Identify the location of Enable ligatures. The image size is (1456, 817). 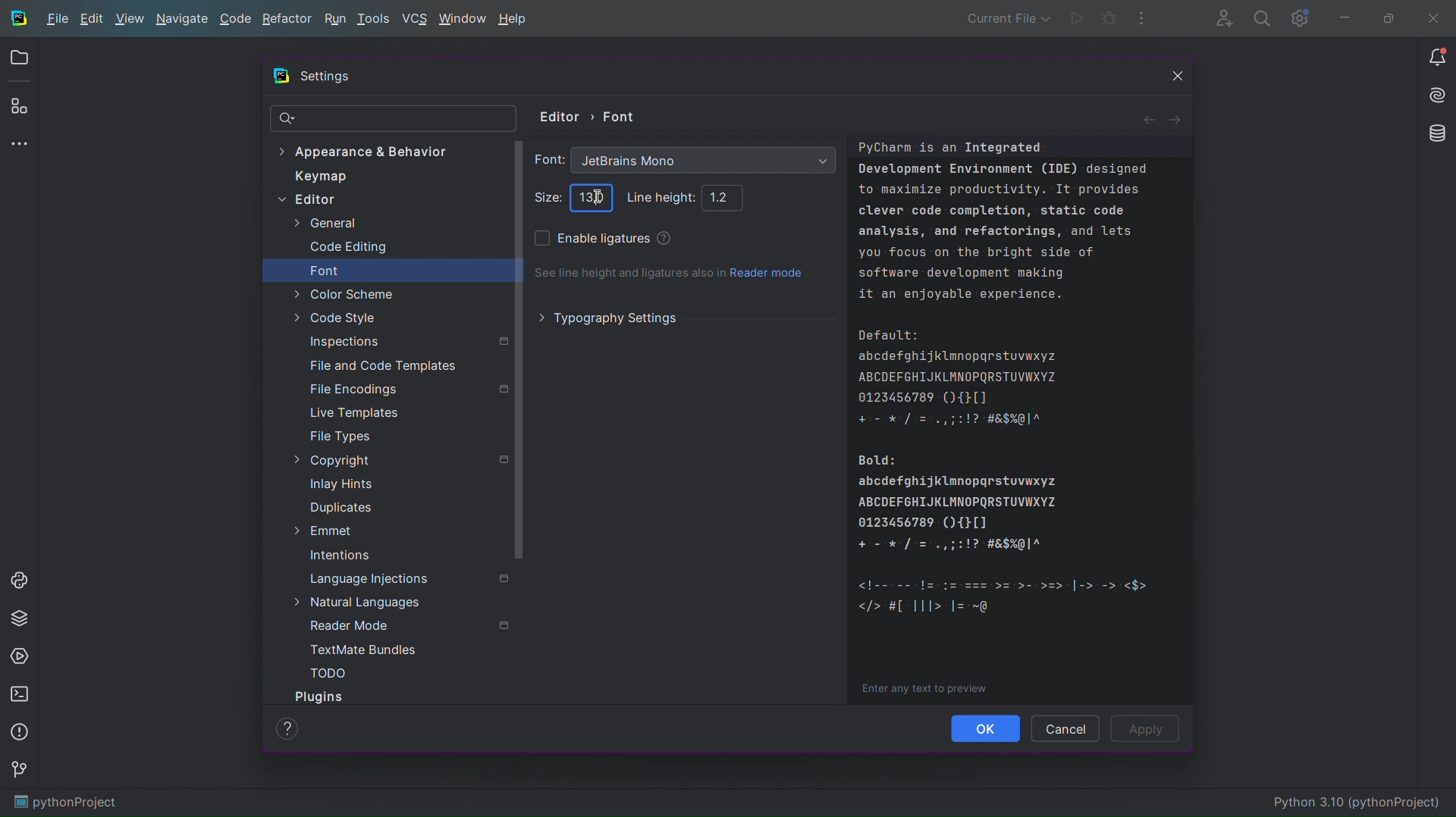
(593, 238).